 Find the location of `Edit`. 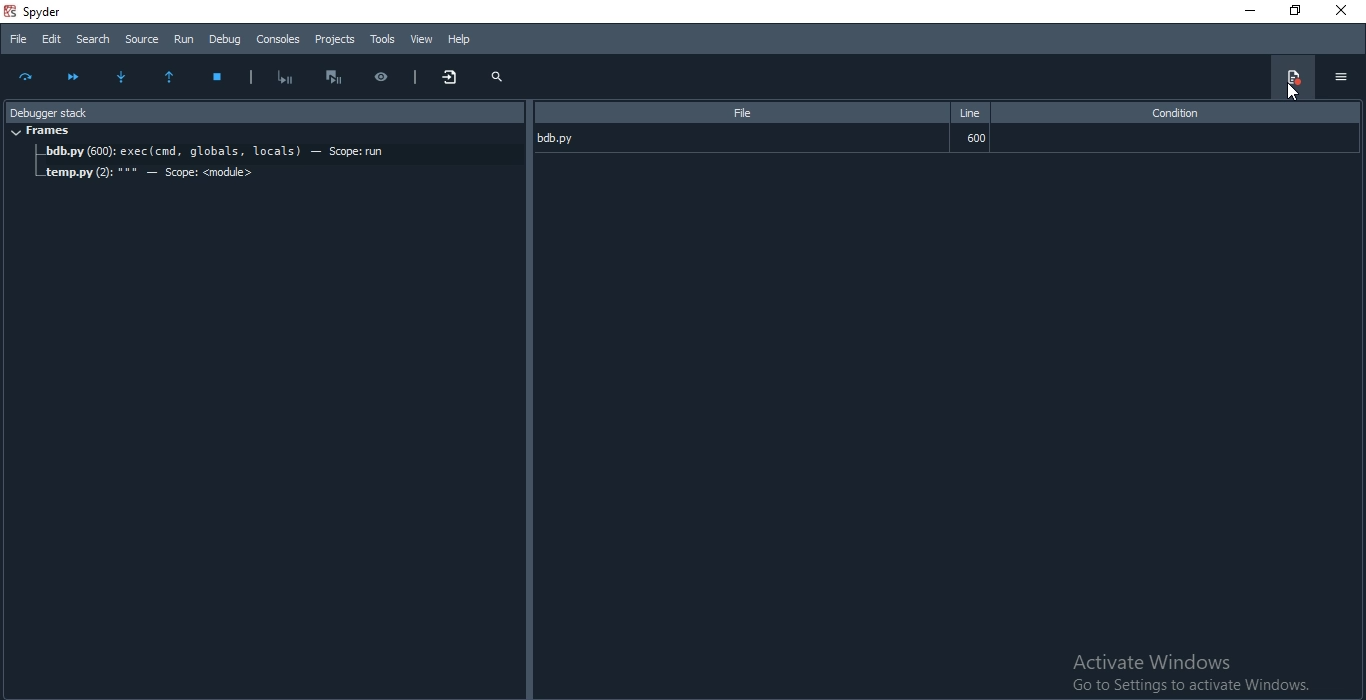

Edit is located at coordinates (50, 40).